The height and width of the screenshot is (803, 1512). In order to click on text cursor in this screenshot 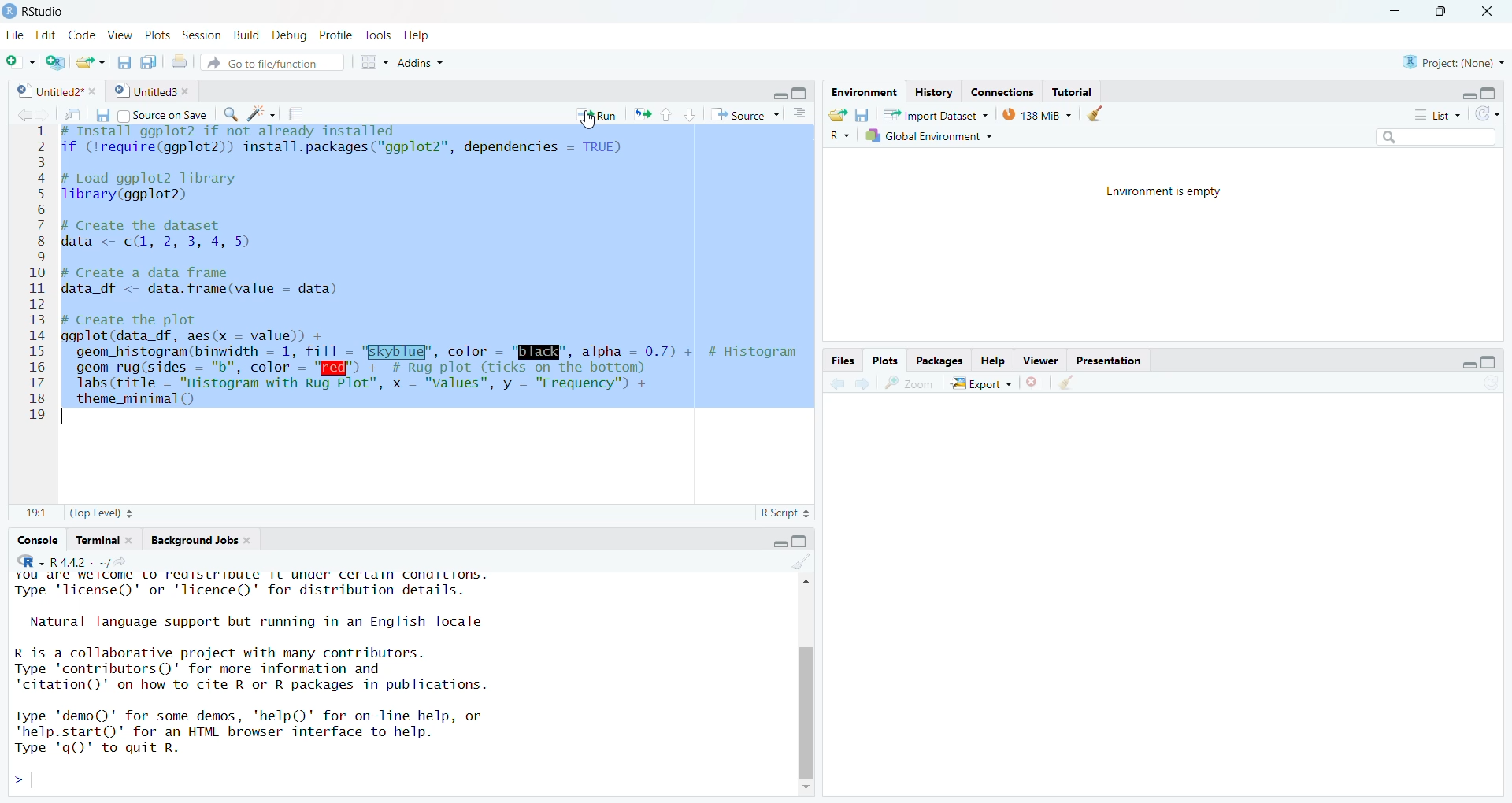, I will do `click(290, 386)`.